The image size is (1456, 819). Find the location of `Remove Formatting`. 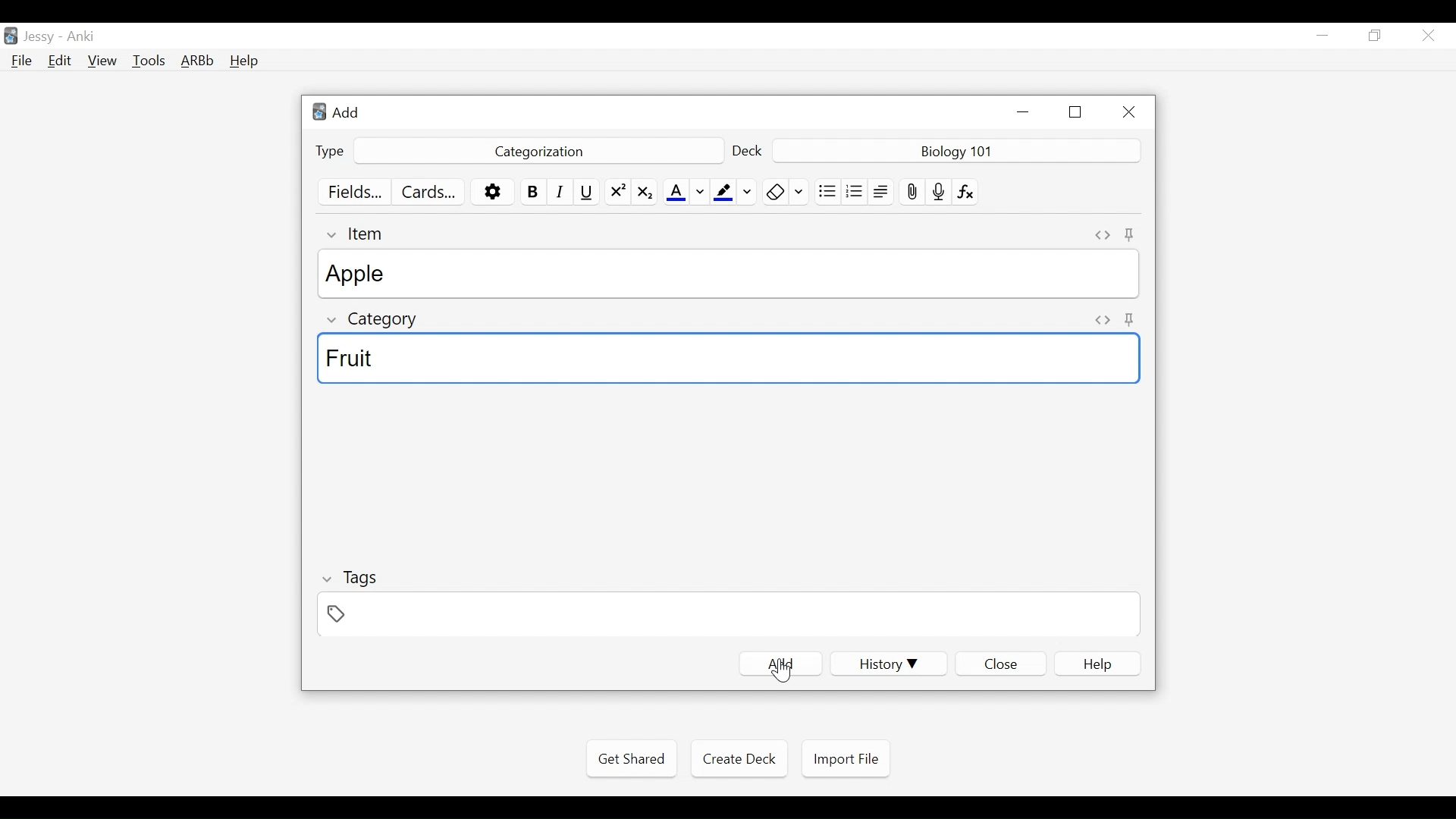

Remove Formatting is located at coordinates (786, 192).